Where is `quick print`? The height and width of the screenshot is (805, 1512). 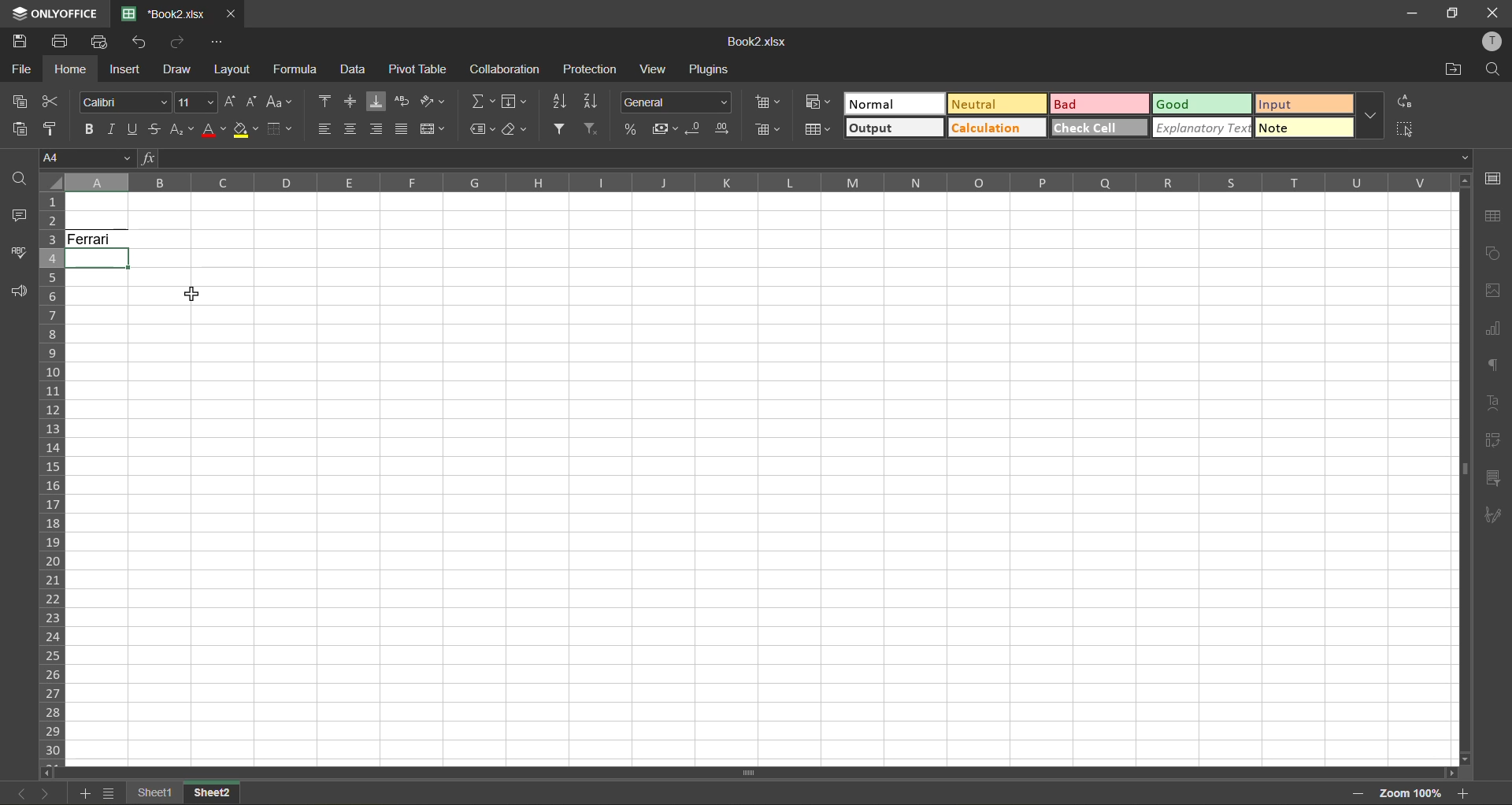 quick print is located at coordinates (101, 42).